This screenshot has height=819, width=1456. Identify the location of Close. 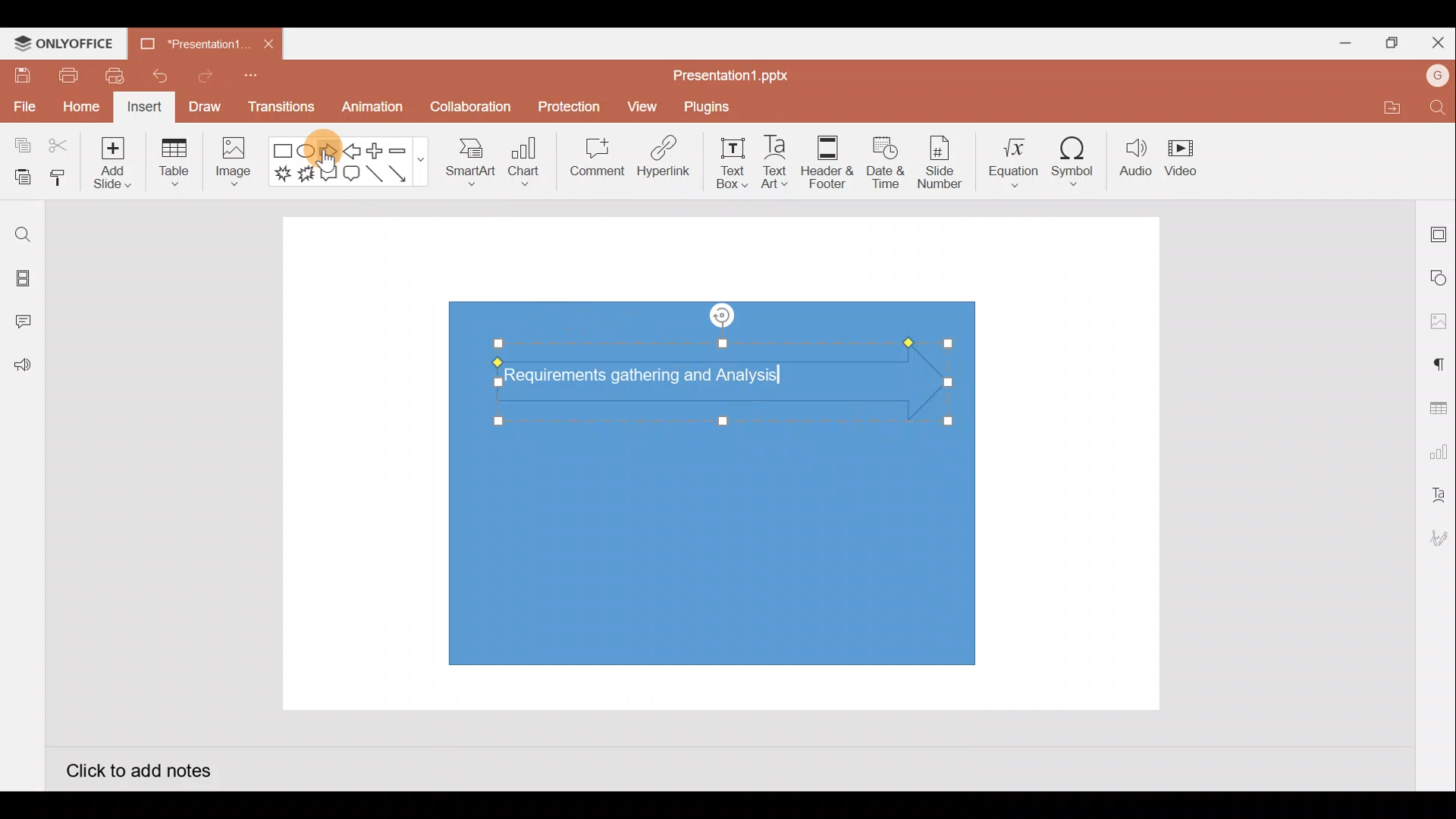
(1435, 39).